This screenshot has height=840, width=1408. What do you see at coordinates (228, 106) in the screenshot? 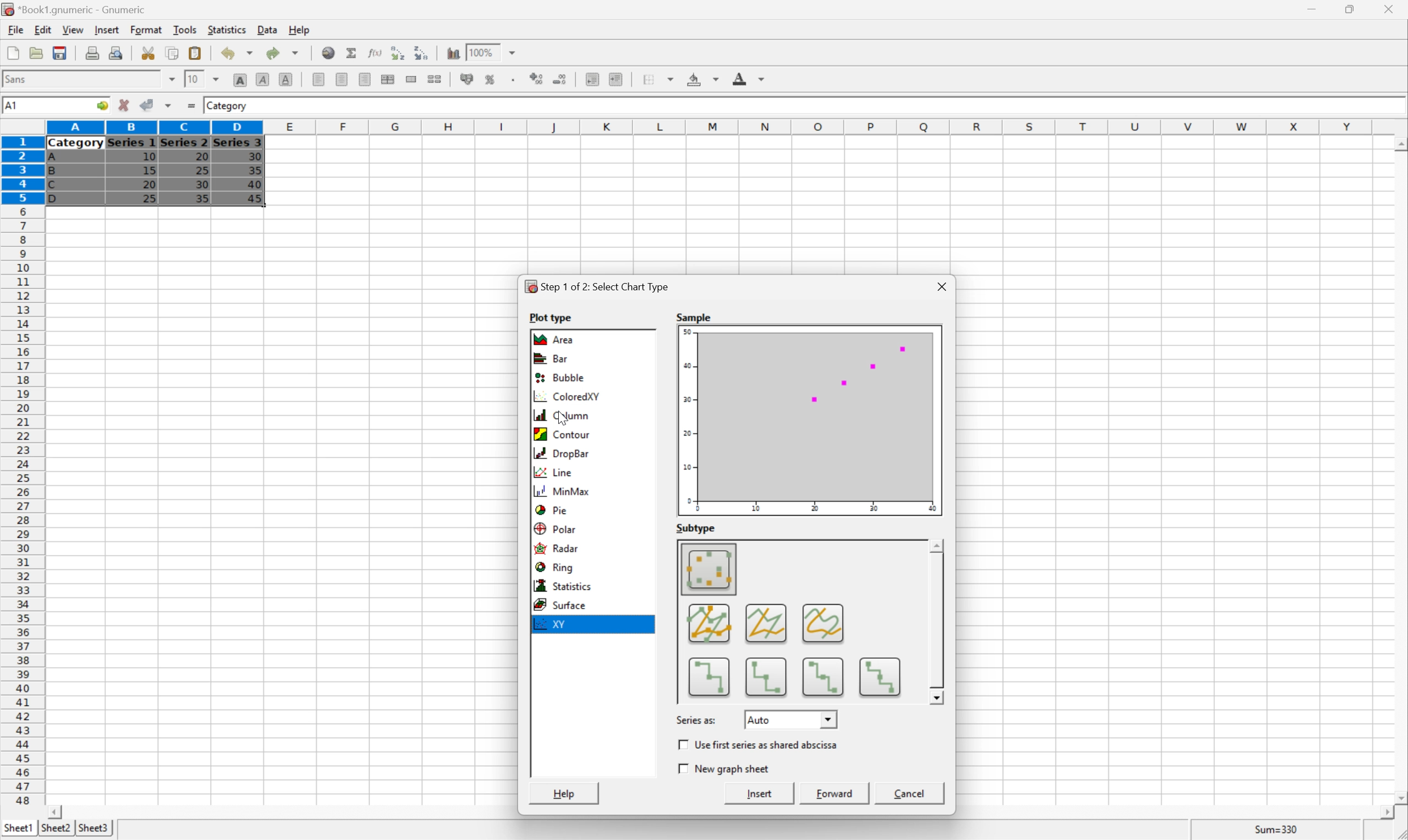
I see `Category` at bounding box center [228, 106].